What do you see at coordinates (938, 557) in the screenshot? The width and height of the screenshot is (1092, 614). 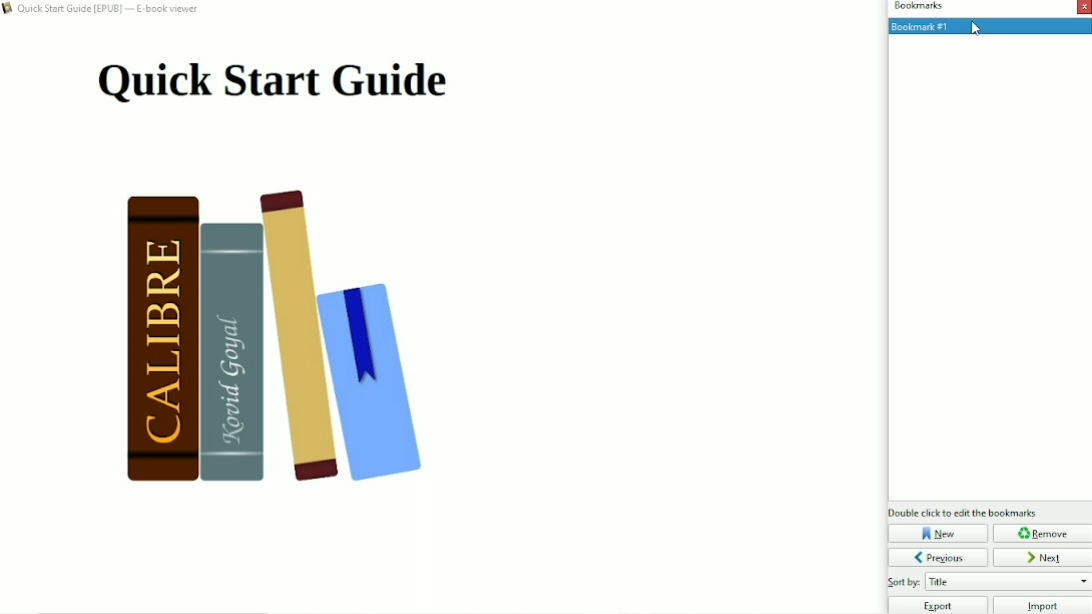 I see `Previous` at bounding box center [938, 557].